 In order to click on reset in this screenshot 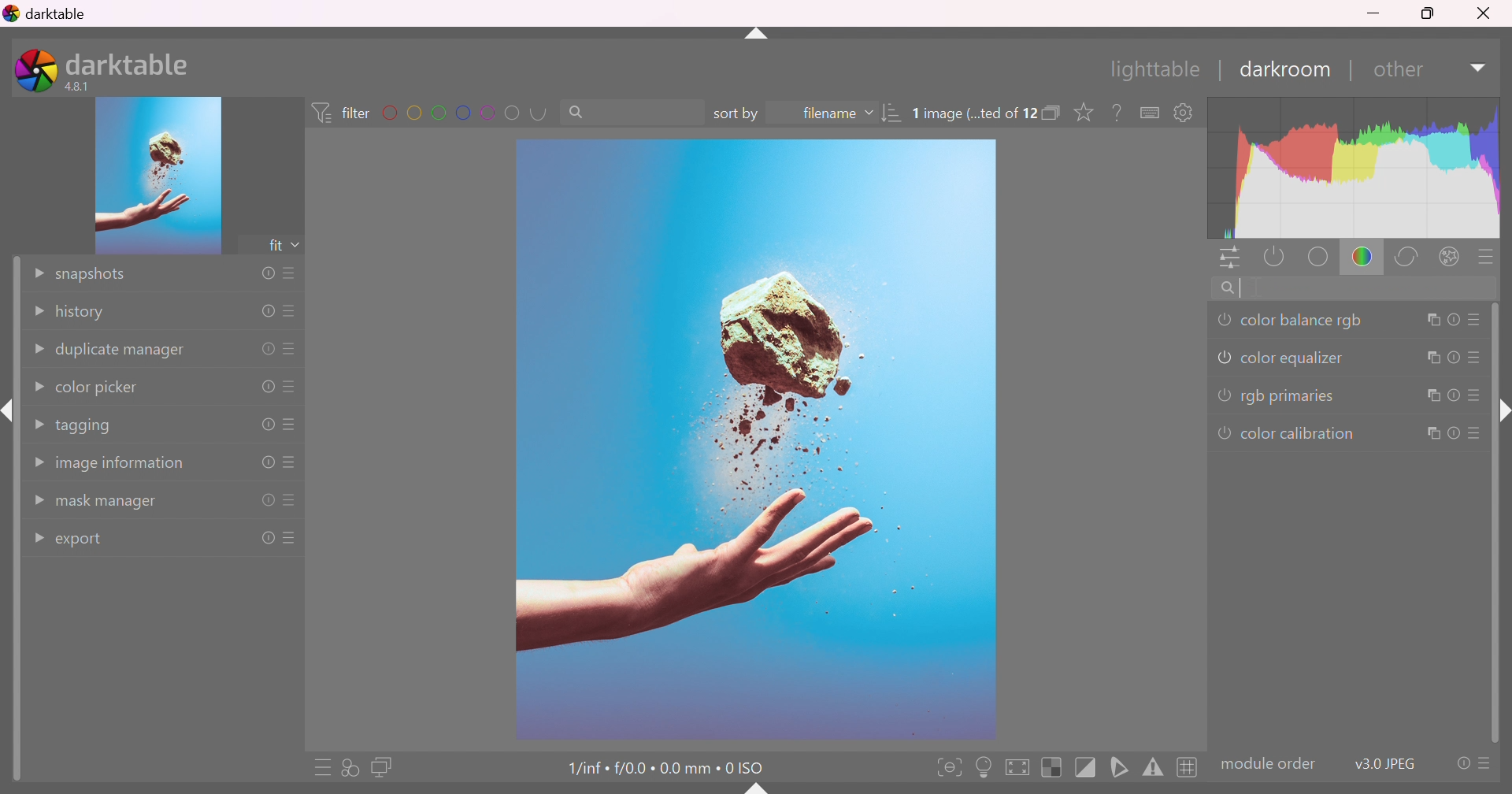, I will do `click(268, 499)`.